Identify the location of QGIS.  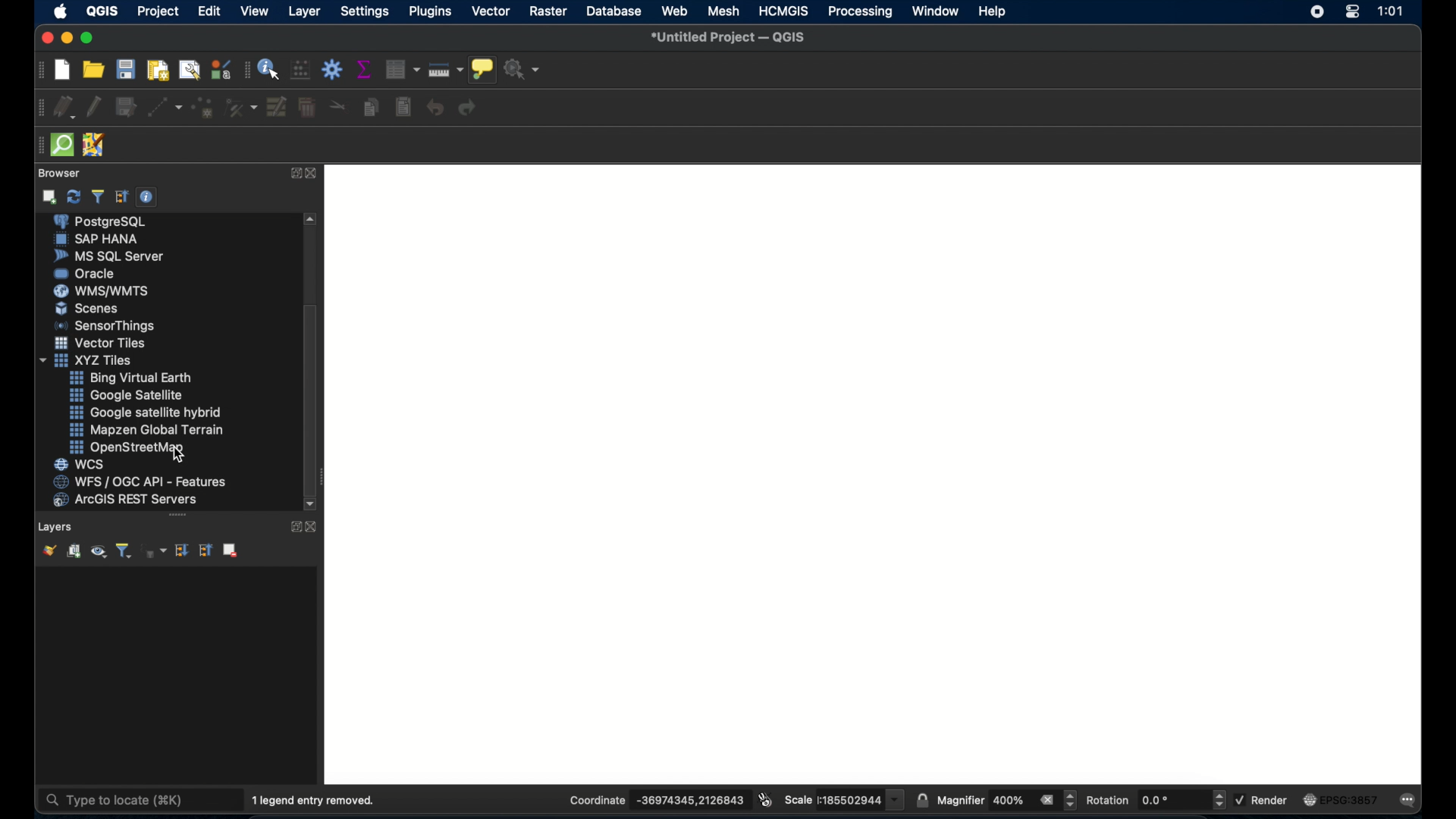
(102, 11).